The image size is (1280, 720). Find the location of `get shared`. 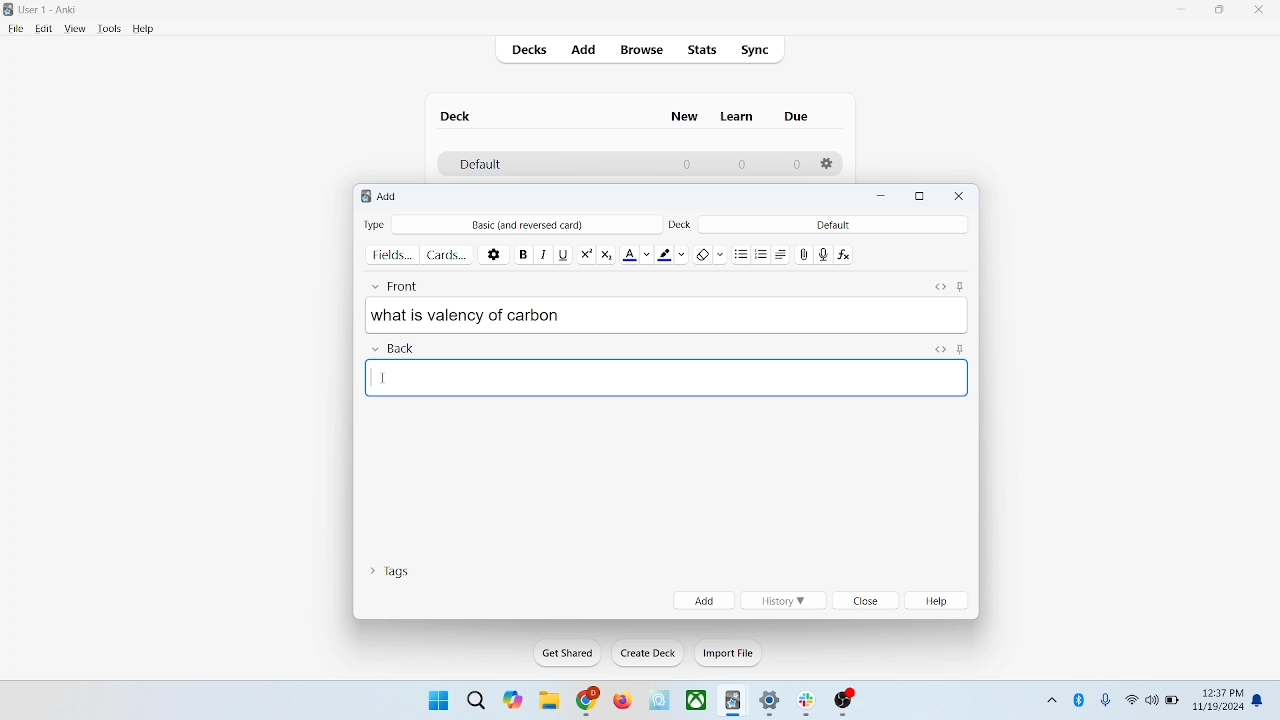

get shared is located at coordinates (569, 654).